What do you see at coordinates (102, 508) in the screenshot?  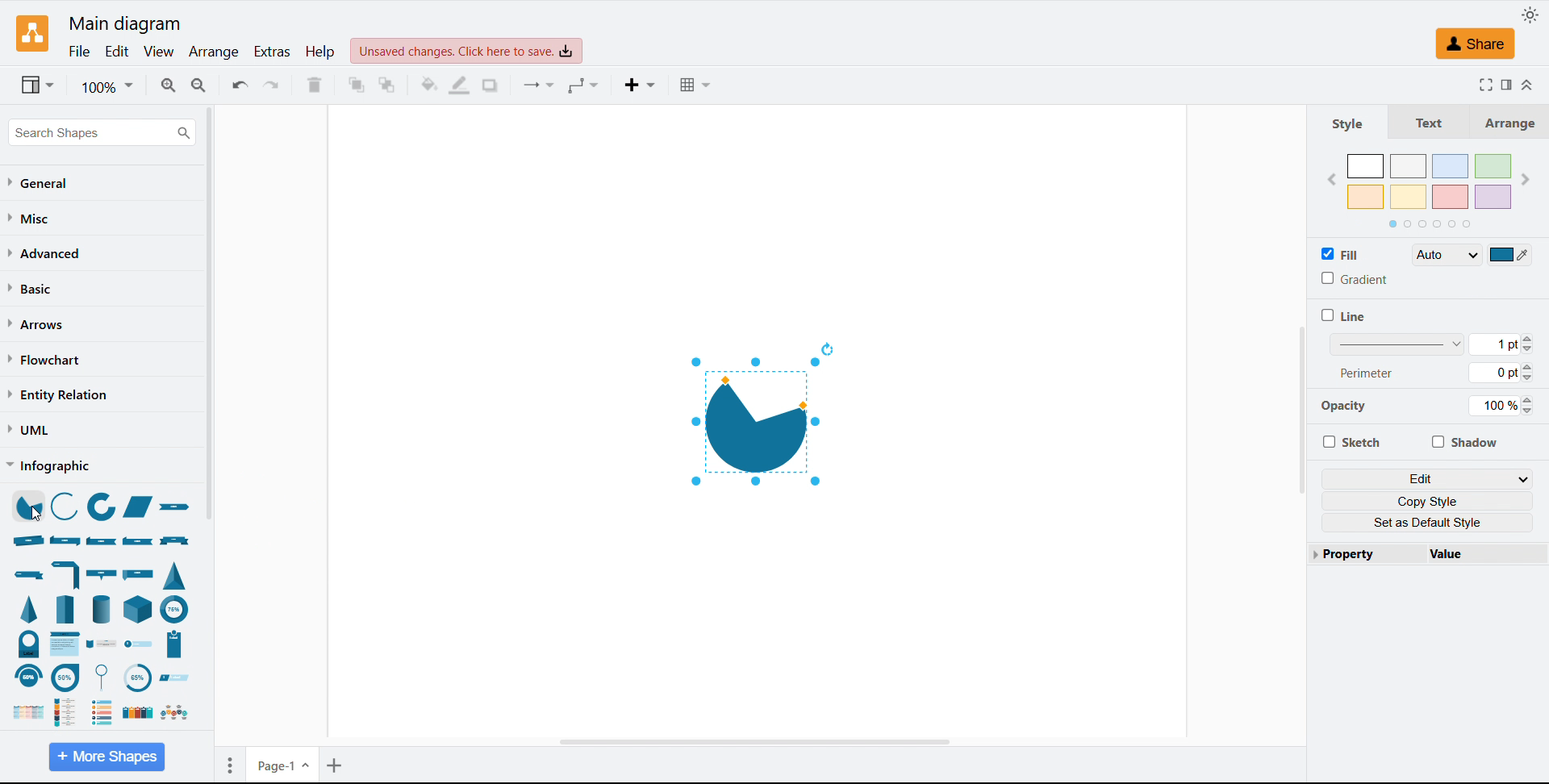 I see `partial concentric ellipse` at bounding box center [102, 508].